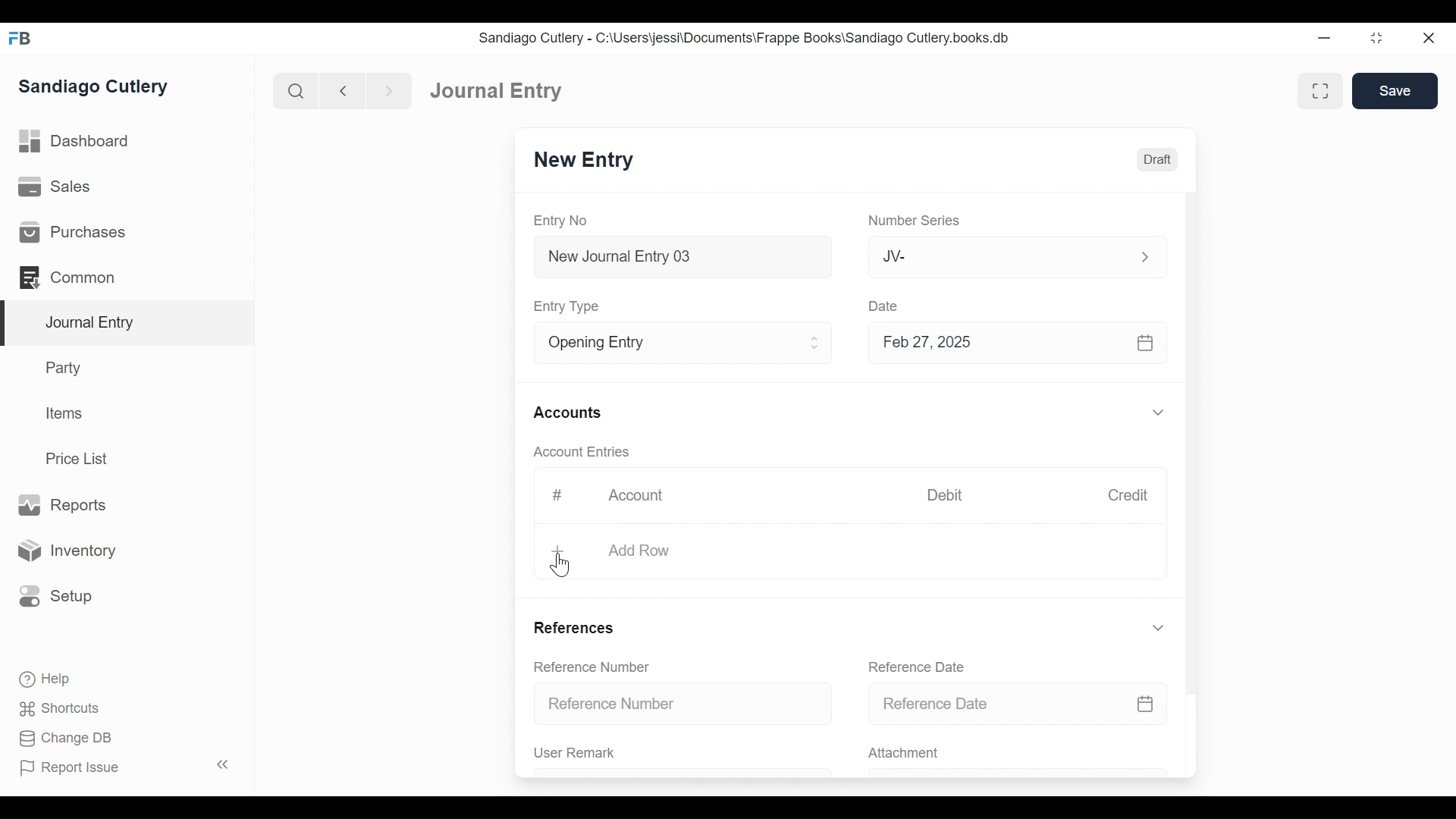 Image resolution: width=1456 pixels, height=819 pixels. Describe the element at coordinates (585, 161) in the screenshot. I see `New Entry` at that location.